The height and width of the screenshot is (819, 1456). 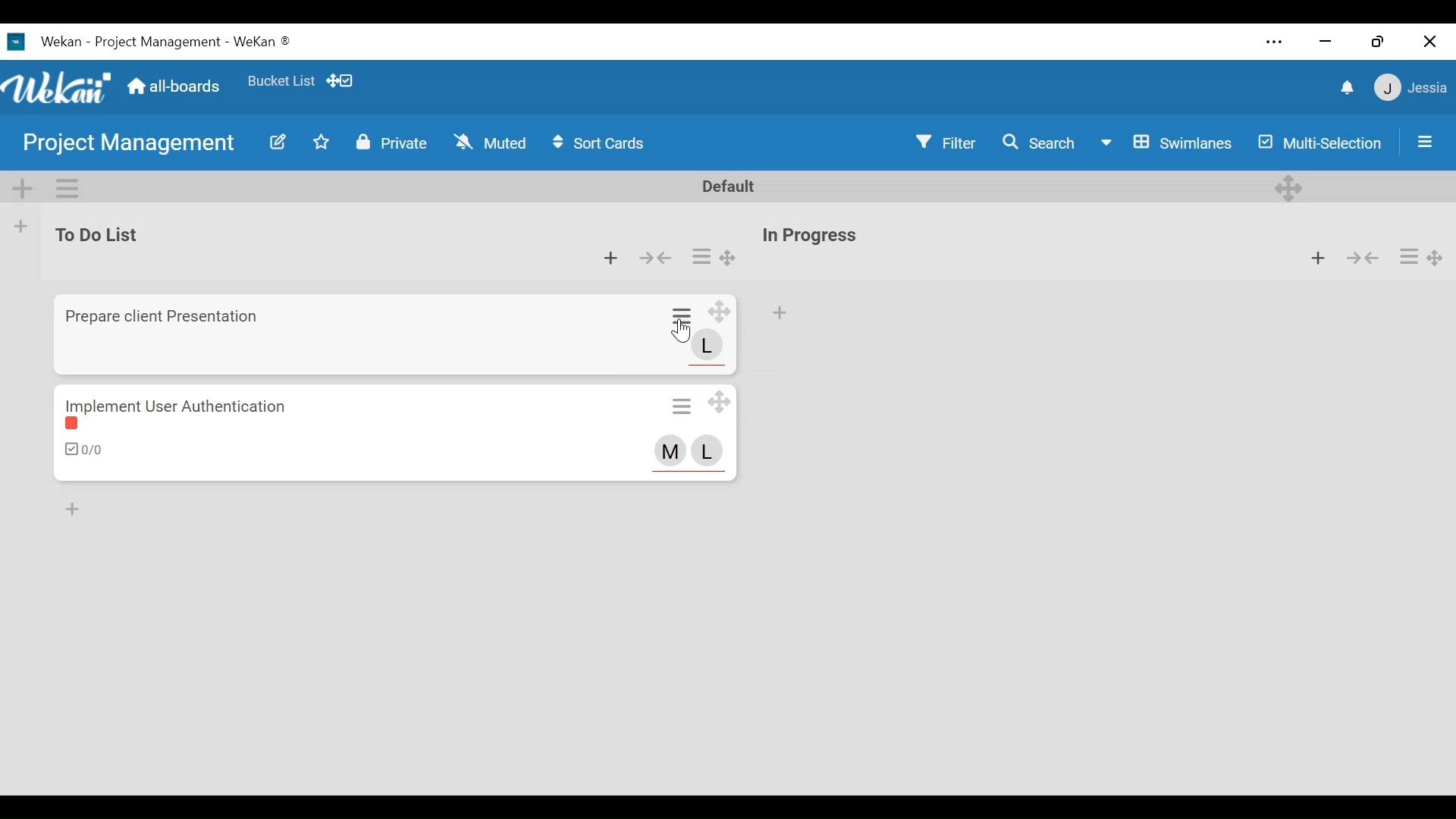 I want to click on Cursor, so click(x=681, y=331).